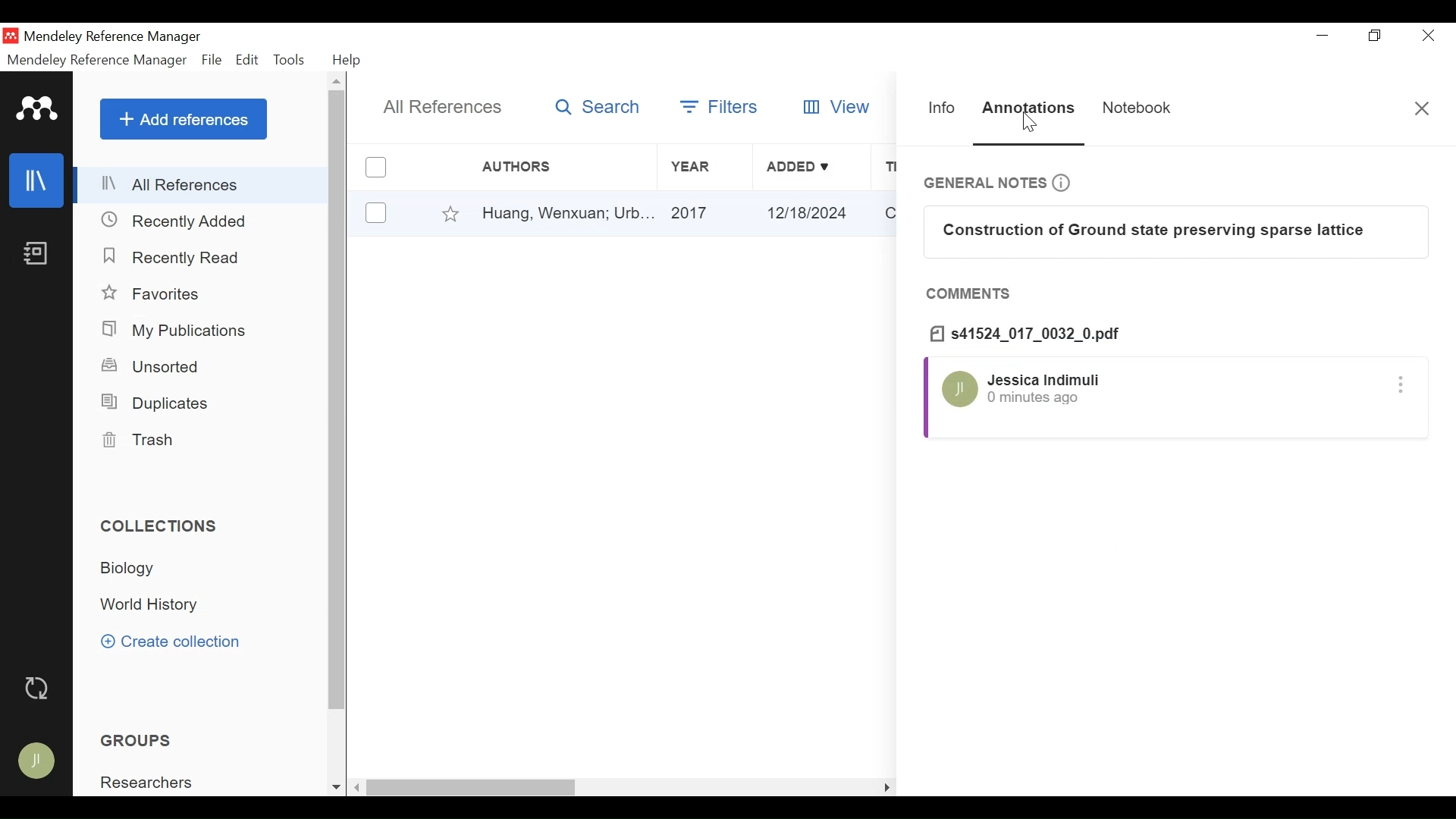 The image size is (1456, 819). What do you see at coordinates (42, 688) in the screenshot?
I see `Sync` at bounding box center [42, 688].